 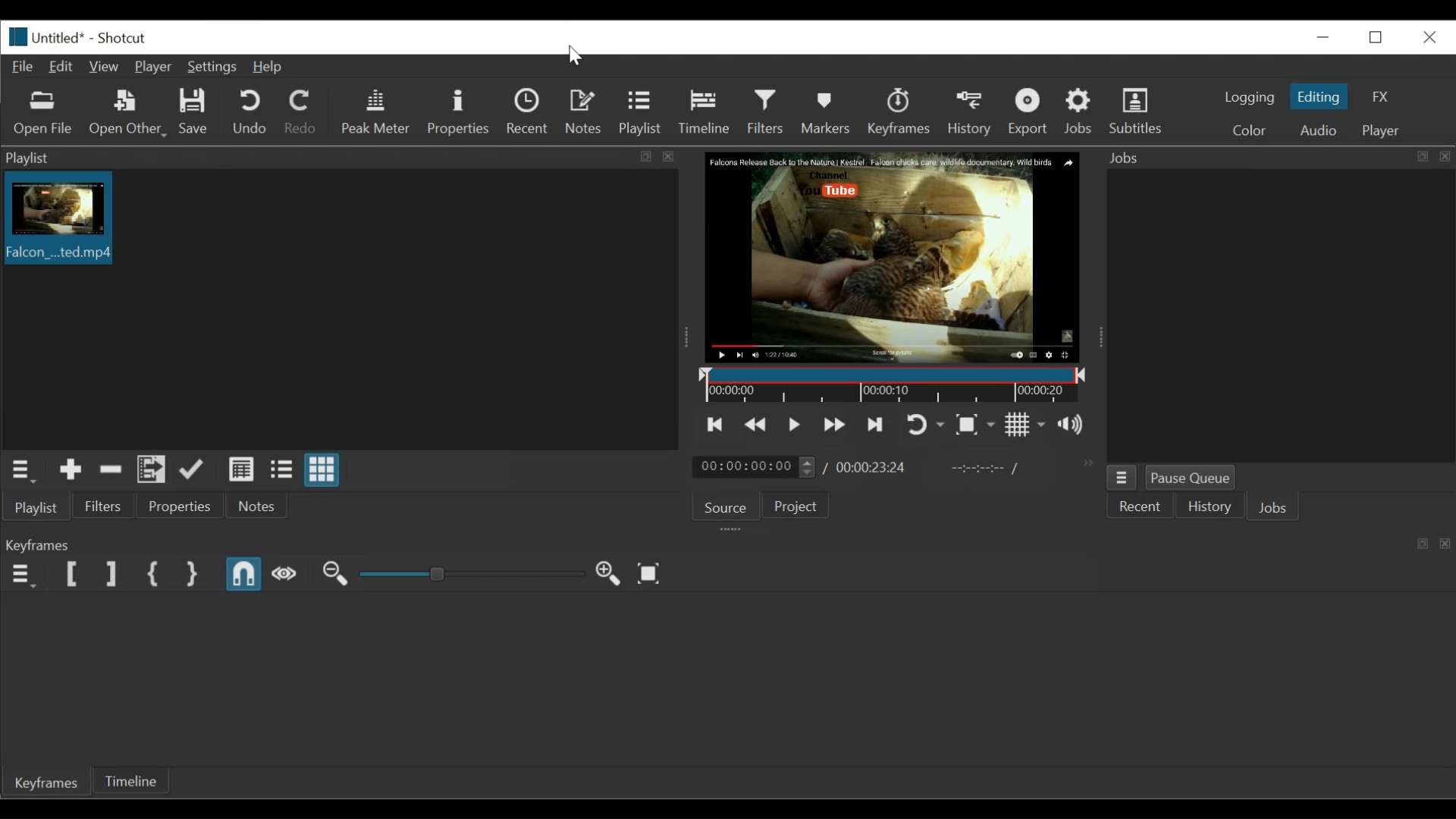 What do you see at coordinates (111, 576) in the screenshot?
I see `Set Filter last` at bounding box center [111, 576].